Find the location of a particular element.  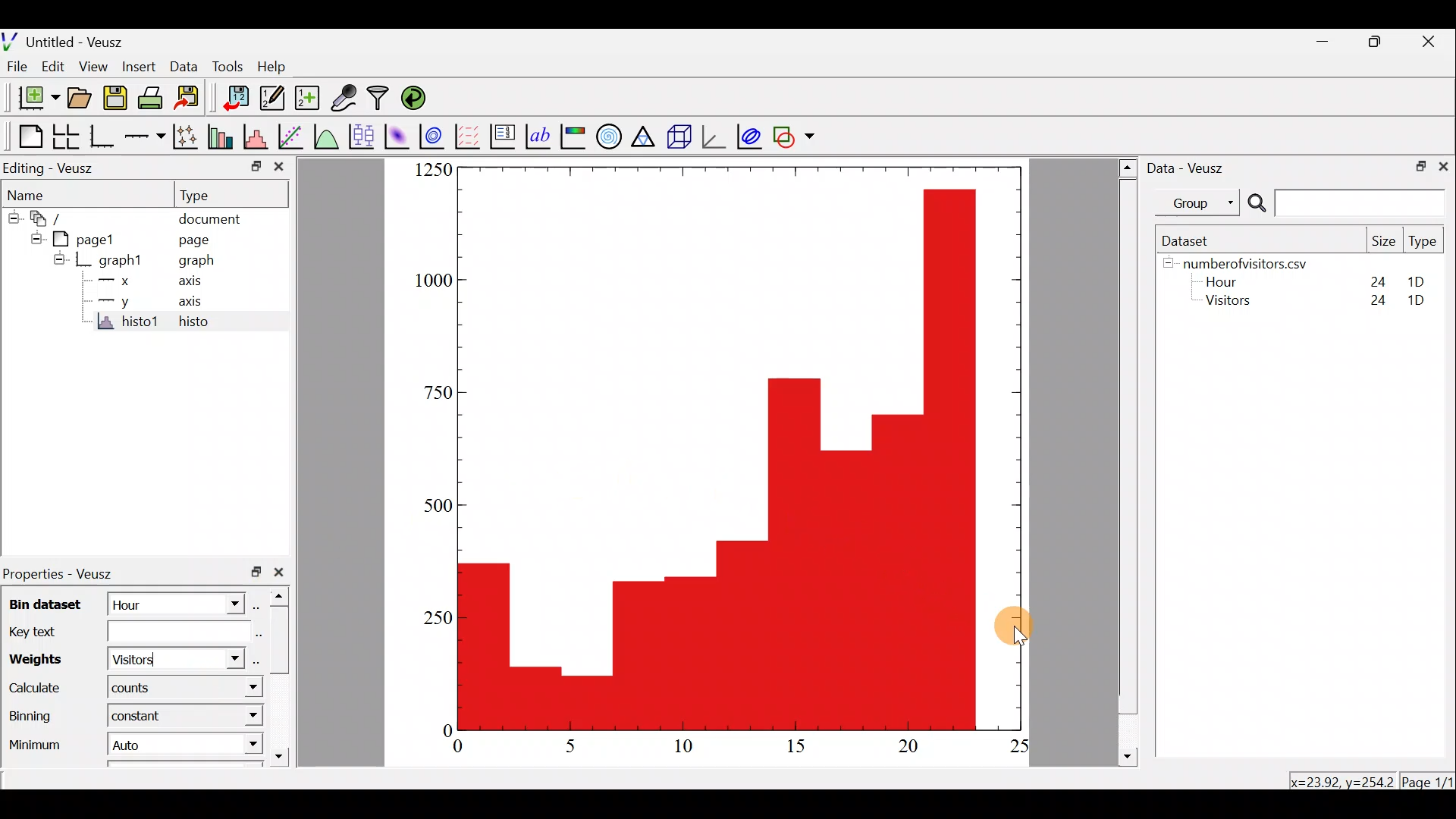

Auto is located at coordinates (150, 744).